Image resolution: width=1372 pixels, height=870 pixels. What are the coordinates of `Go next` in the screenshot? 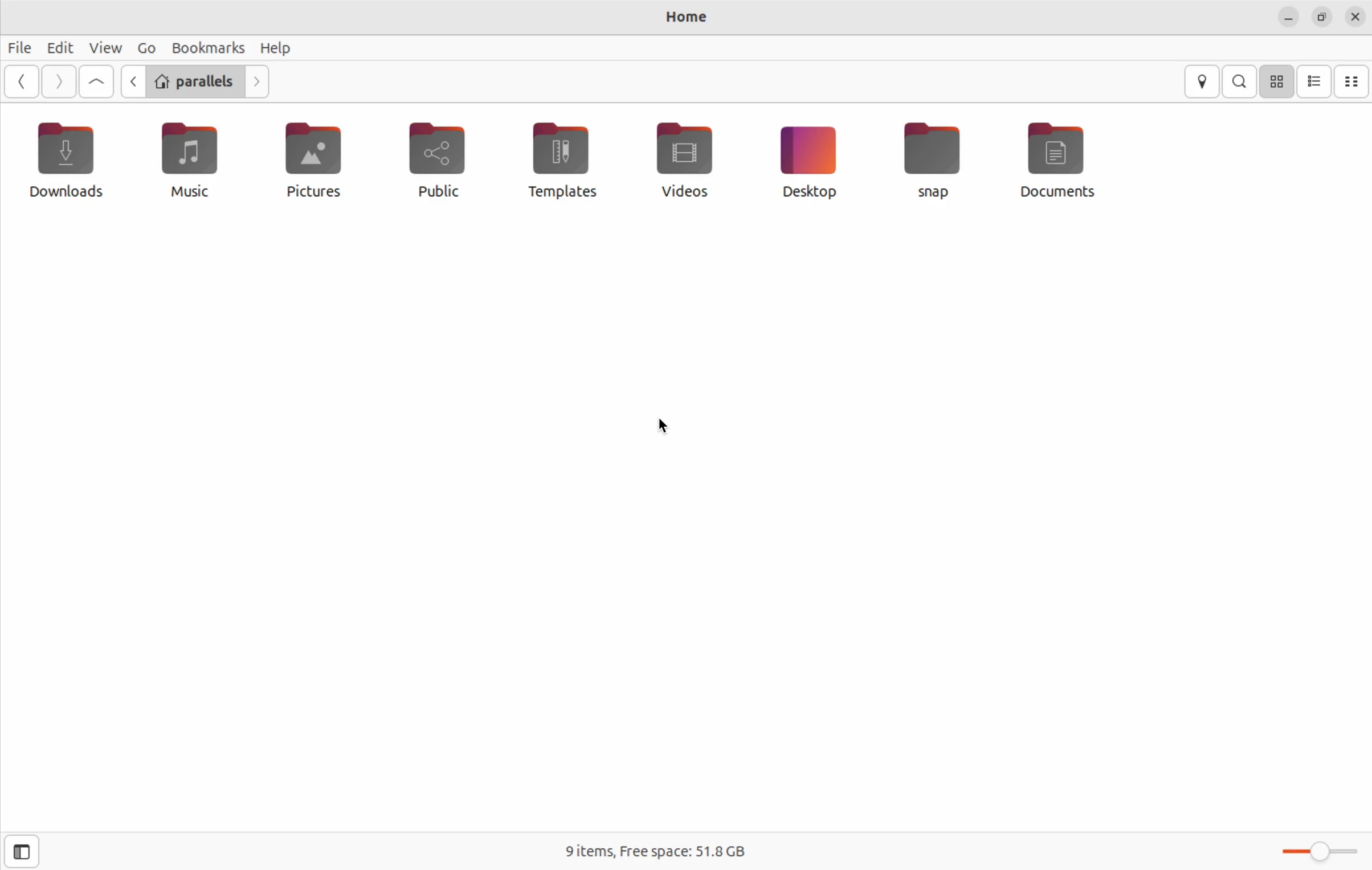 It's located at (259, 83).